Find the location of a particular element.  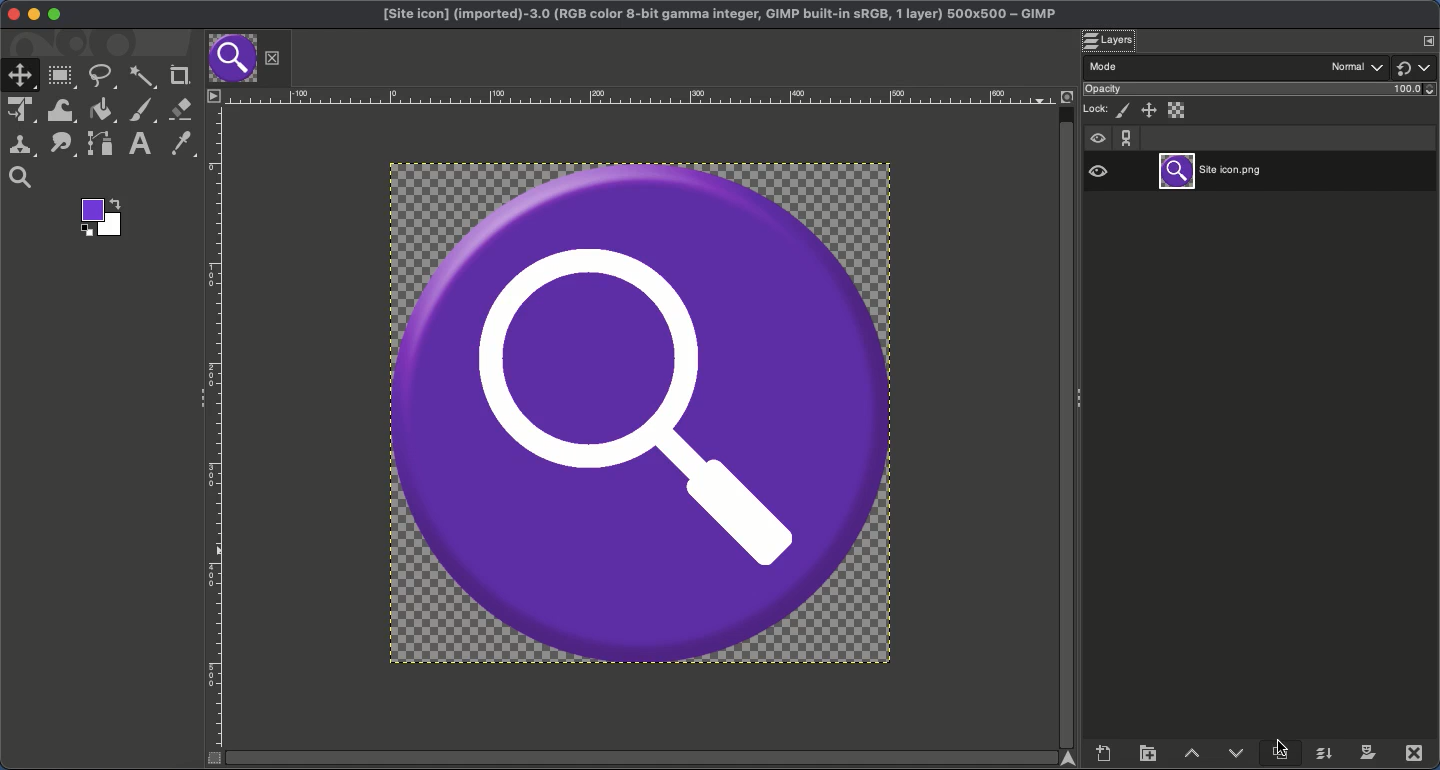

Paths is located at coordinates (99, 145).